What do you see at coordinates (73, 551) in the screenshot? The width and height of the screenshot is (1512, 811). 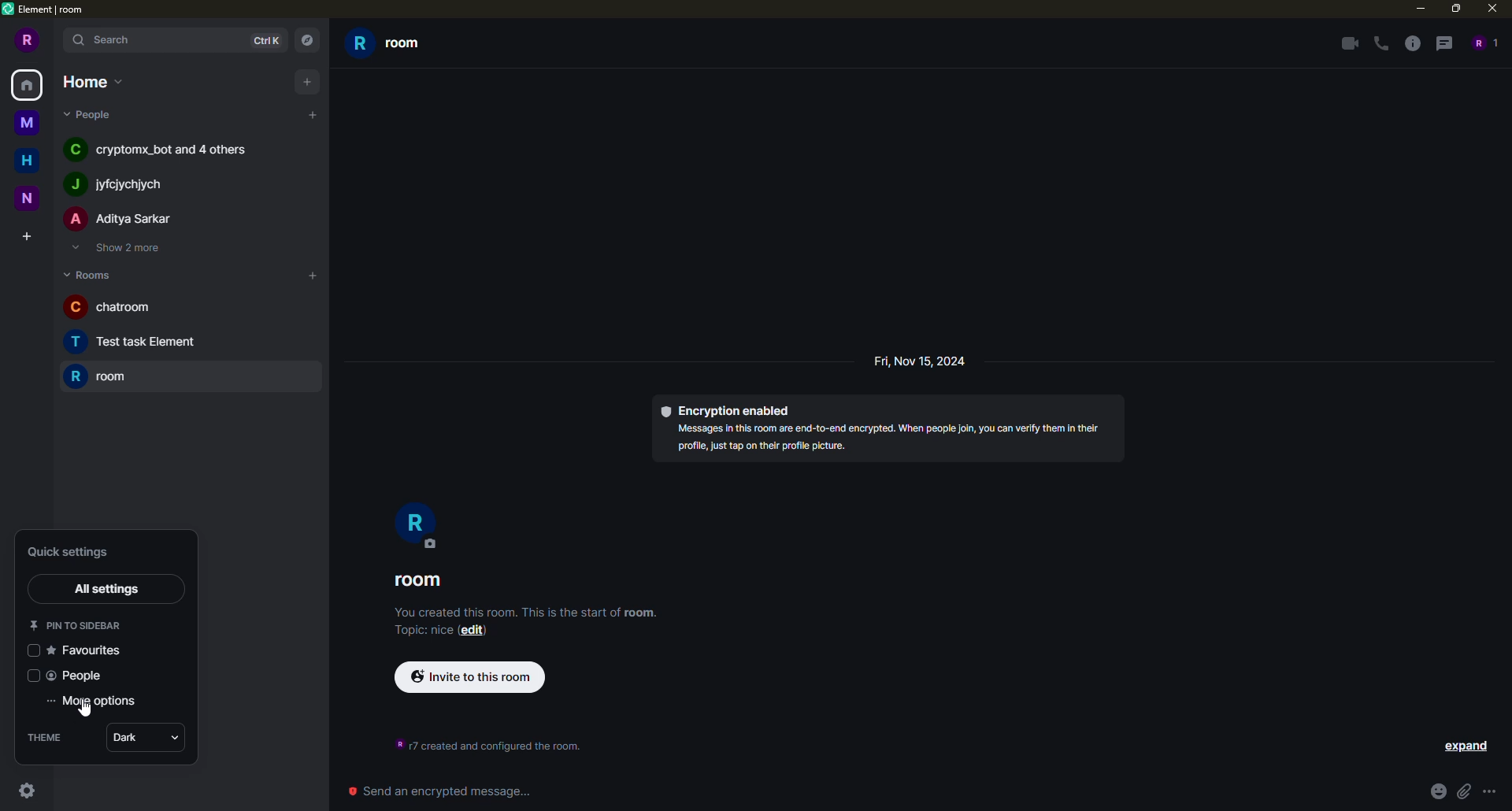 I see `quick settings` at bounding box center [73, 551].